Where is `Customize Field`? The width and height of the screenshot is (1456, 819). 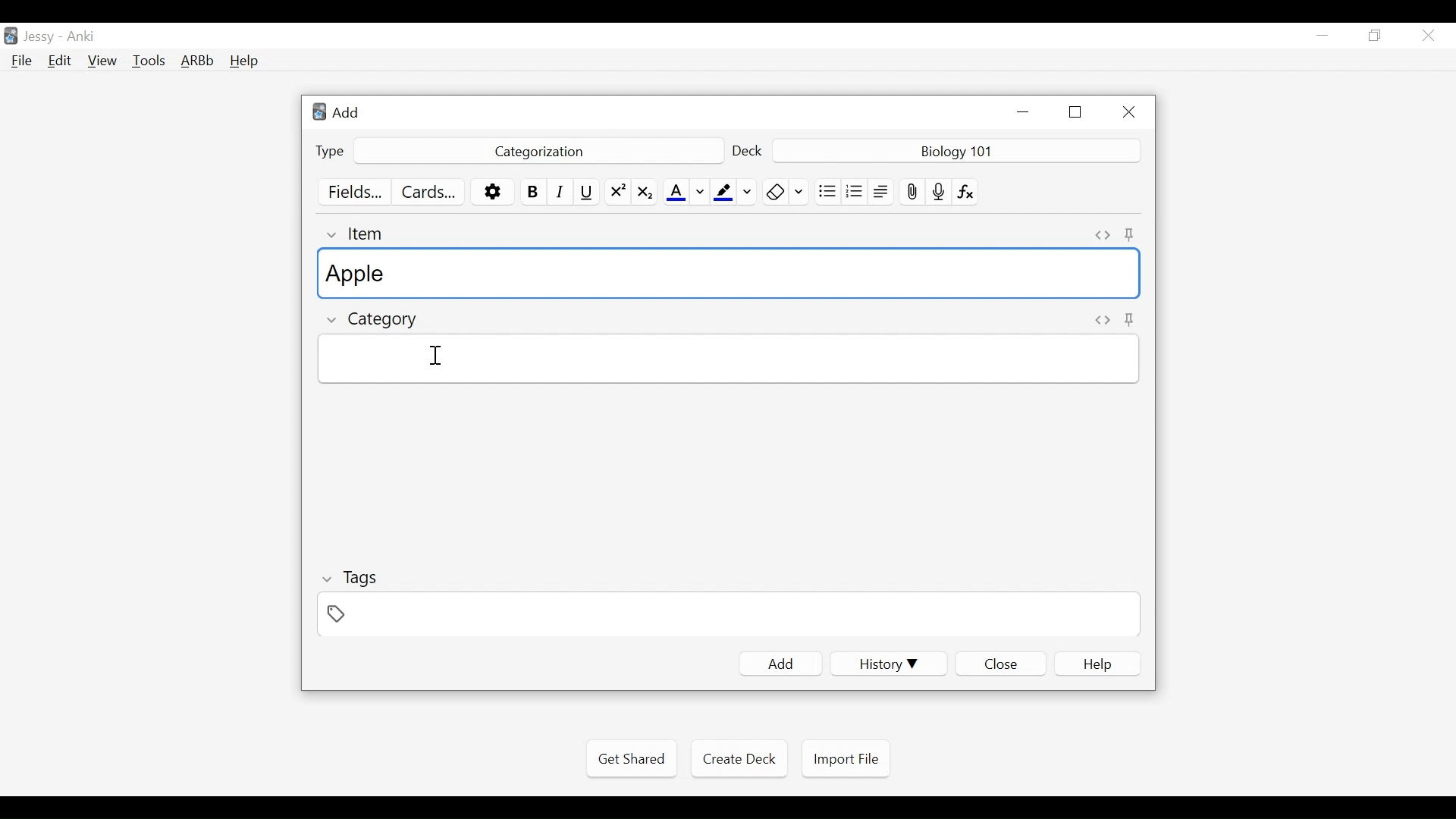
Customize Field is located at coordinates (354, 191).